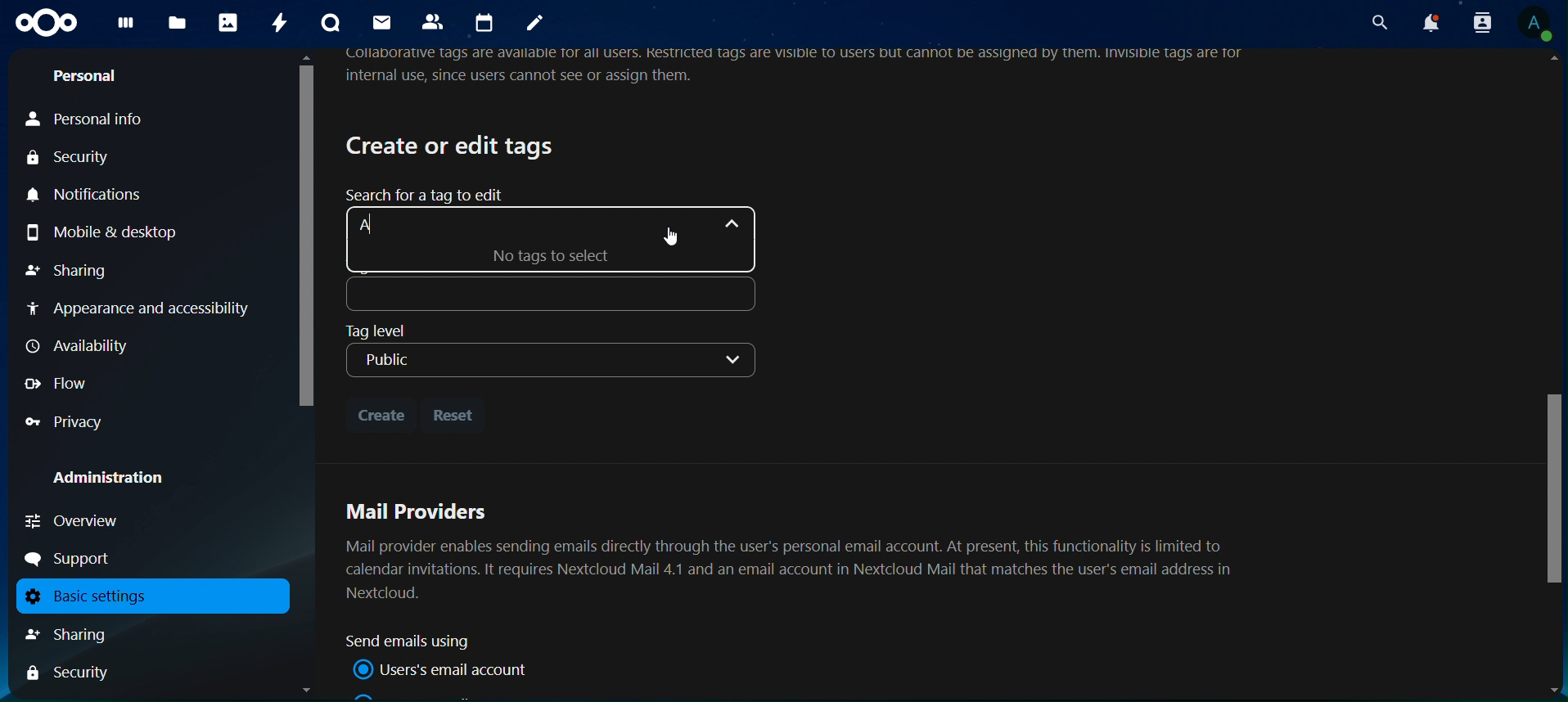 The image size is (1568, 702). I want to click on personal, so click(86, 79).